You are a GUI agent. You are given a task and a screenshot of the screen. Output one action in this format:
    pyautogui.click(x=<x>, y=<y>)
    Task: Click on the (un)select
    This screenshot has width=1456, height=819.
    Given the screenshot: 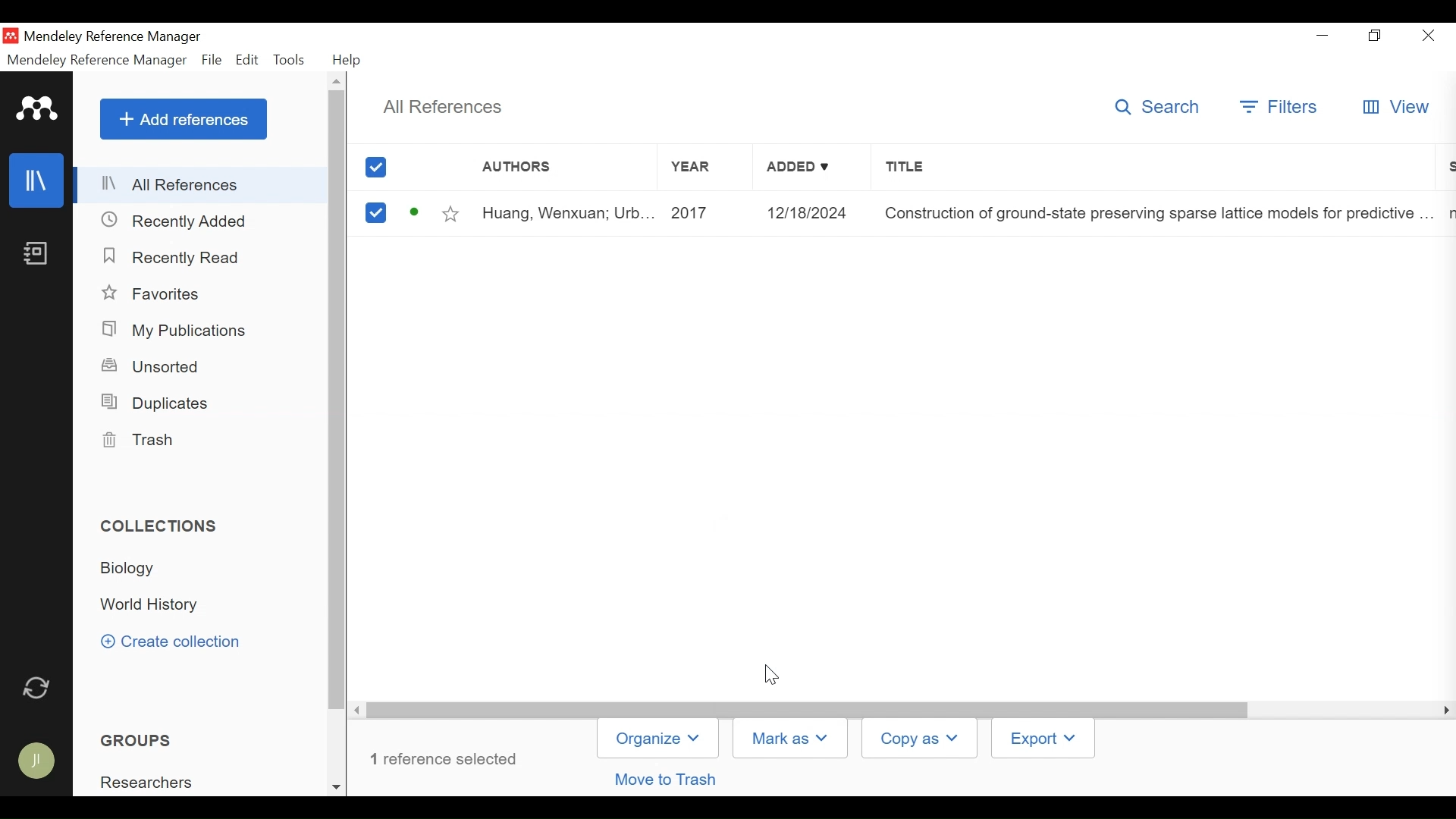 What is the action you would take?
    pyautogui.click(x=375, y=213)
    